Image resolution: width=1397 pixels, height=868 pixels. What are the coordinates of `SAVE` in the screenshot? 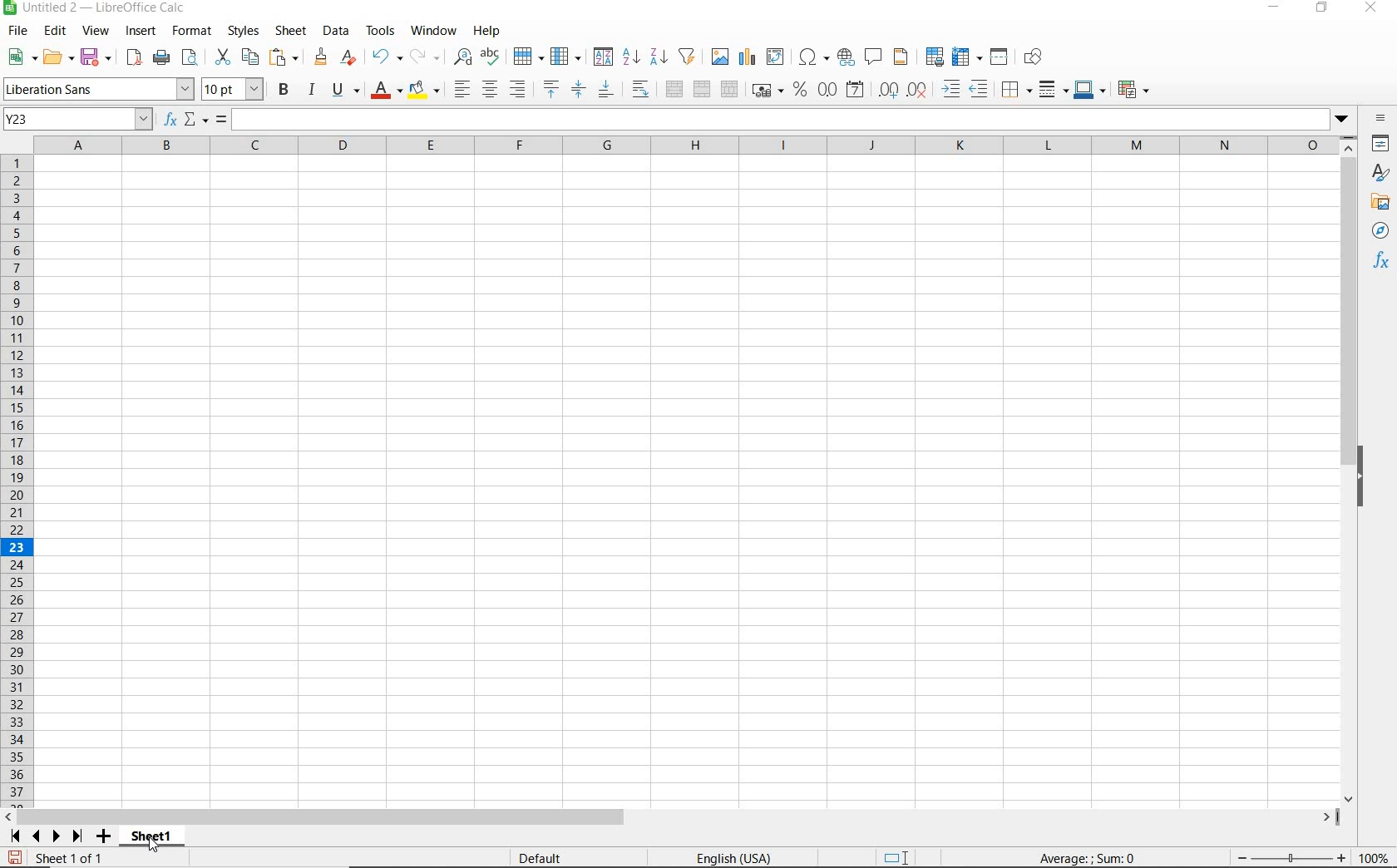 It's located at (96, 57).